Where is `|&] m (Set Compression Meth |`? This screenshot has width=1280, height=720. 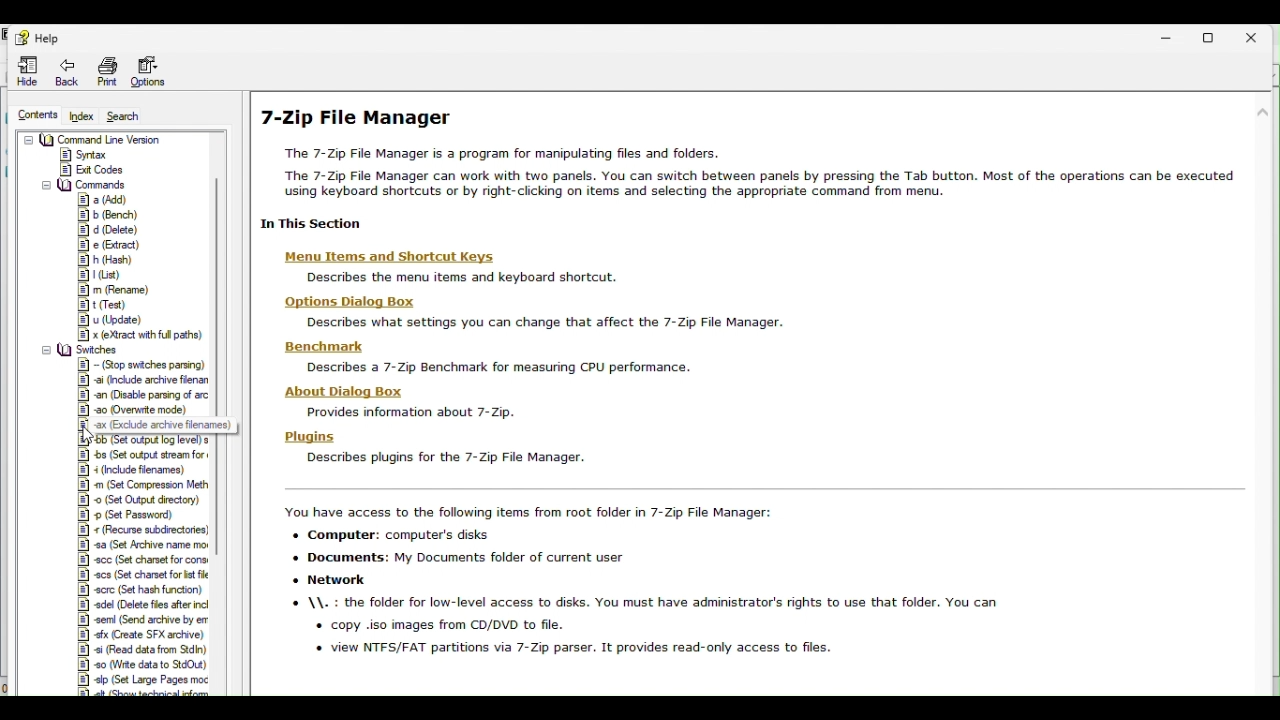 |&] m (Set Compression Meth | is located at coordinates (146, 485).